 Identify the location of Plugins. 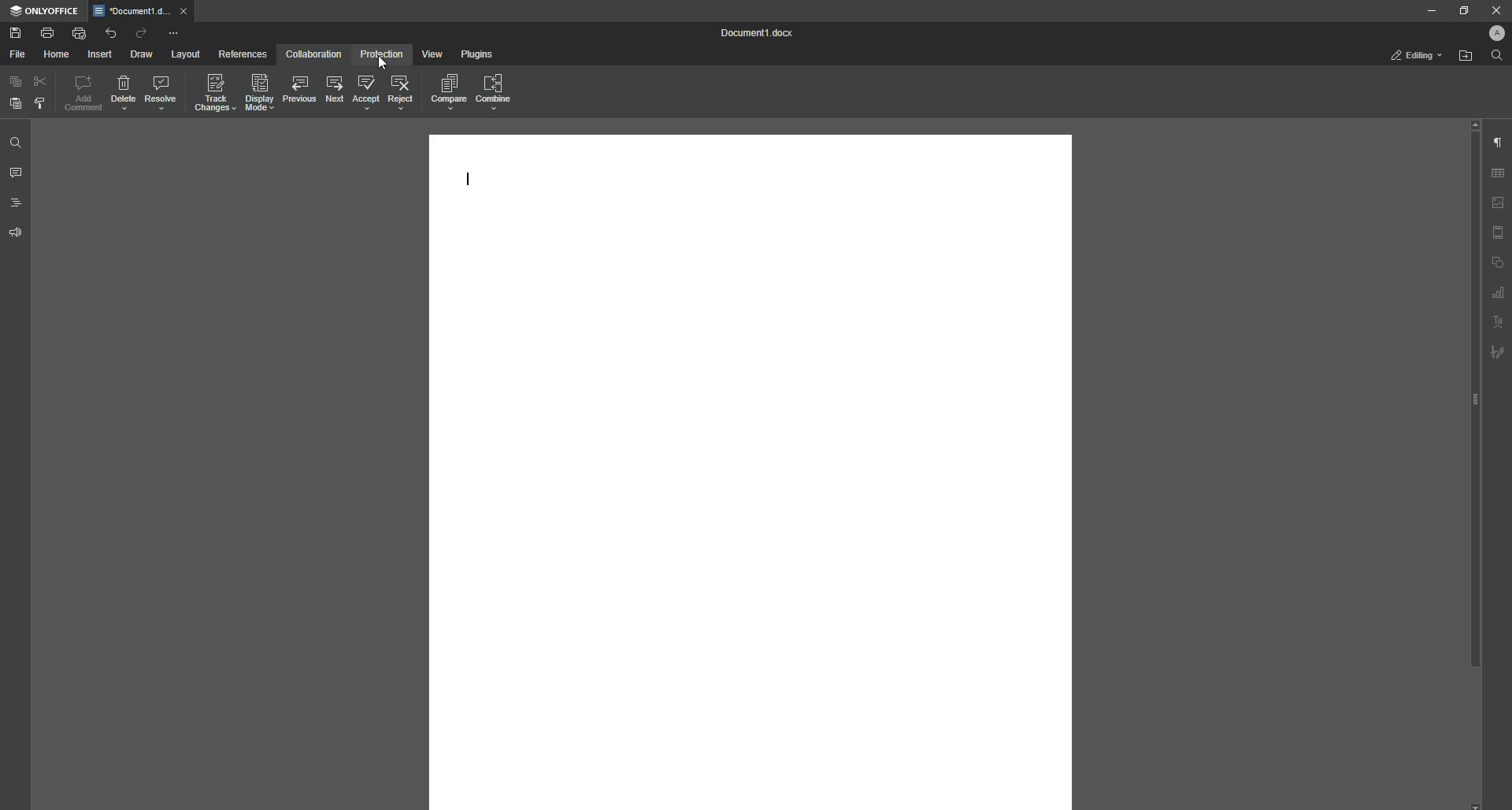
(476, 54).